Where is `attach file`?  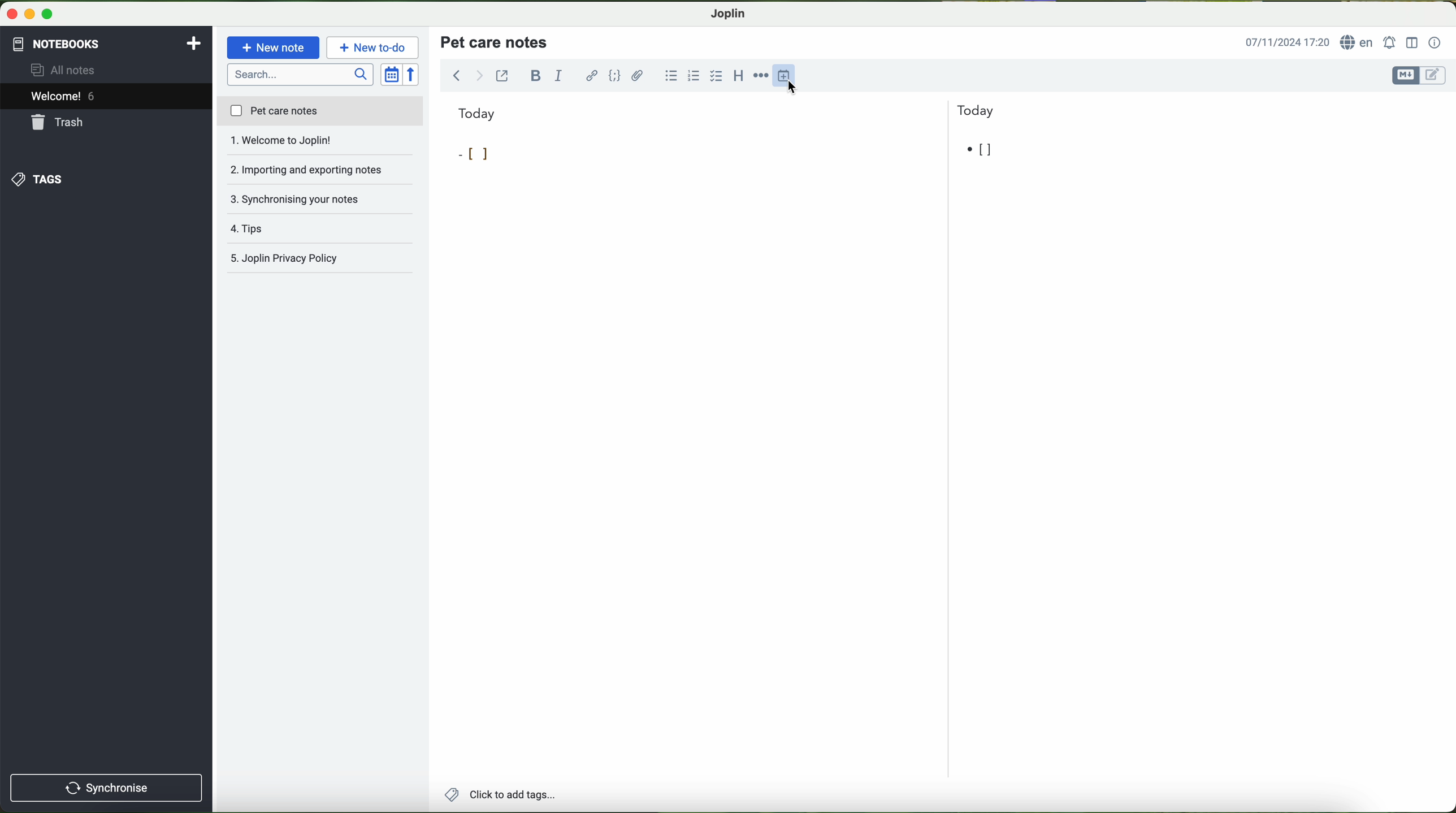
attach file is located at coordinates (638, 75).